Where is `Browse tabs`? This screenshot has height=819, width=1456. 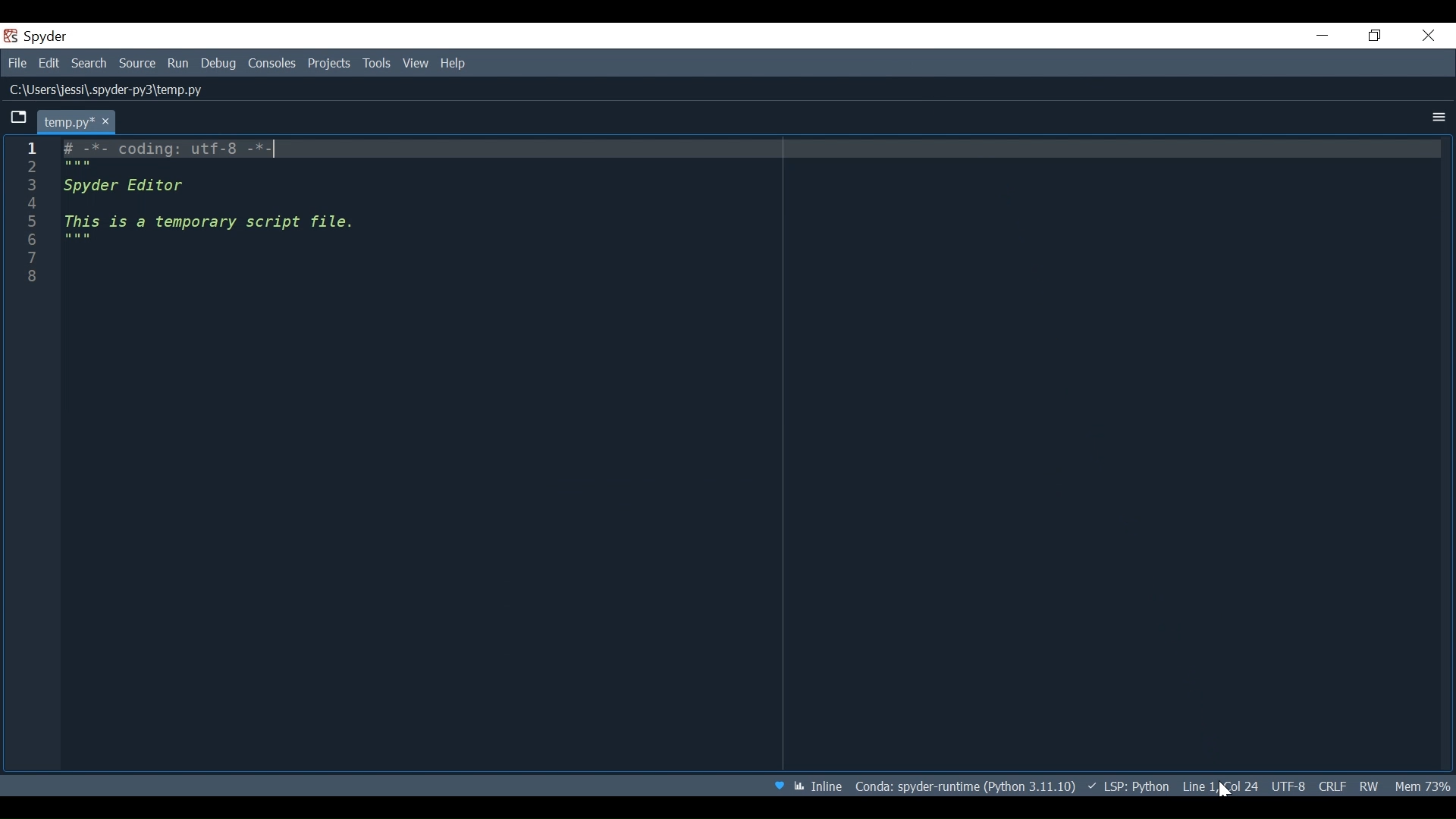 Browse tabs is located at coordinates (17, 120).